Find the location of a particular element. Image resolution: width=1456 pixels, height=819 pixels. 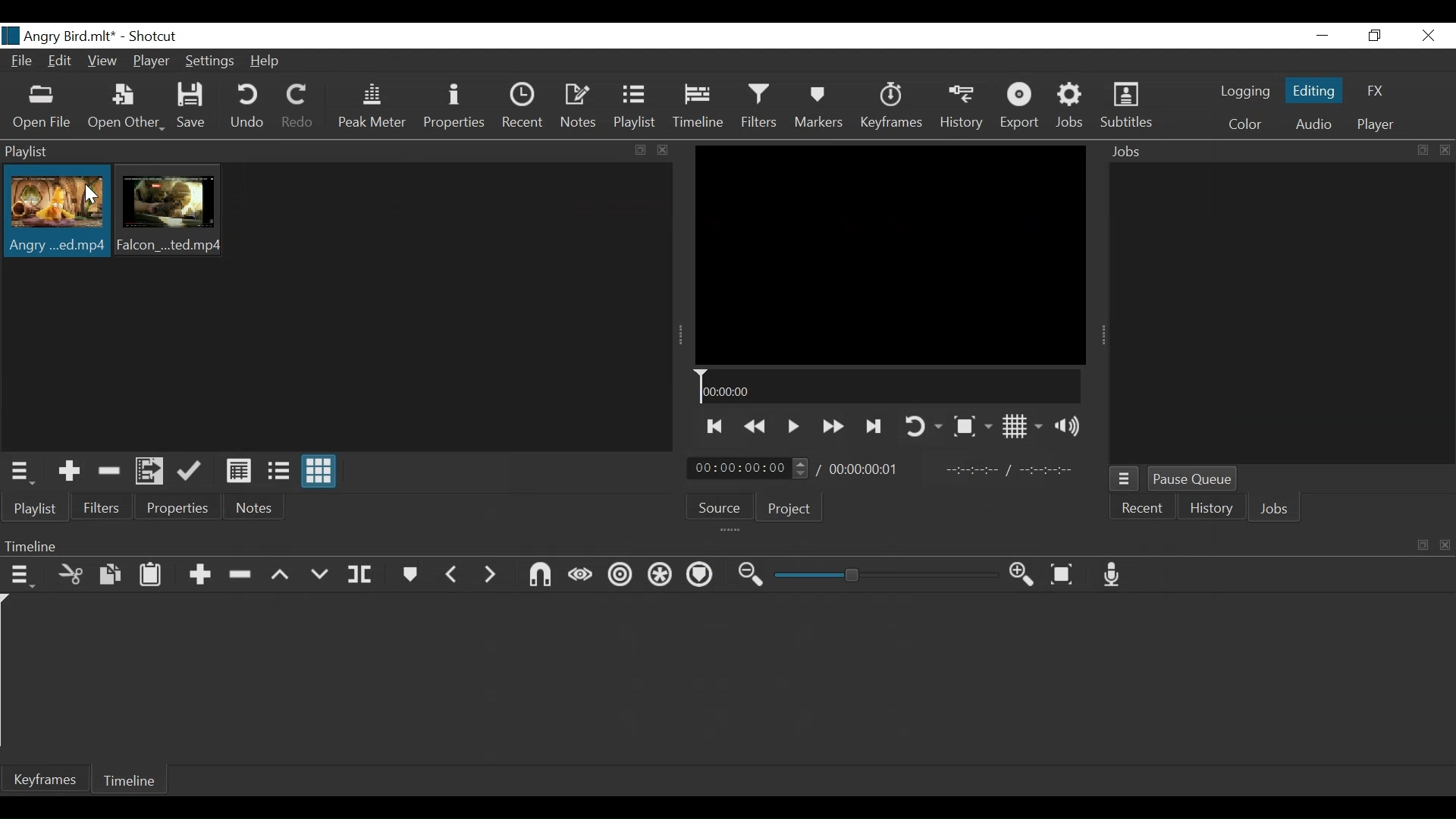

Filters is located at coordinates (101, 510).